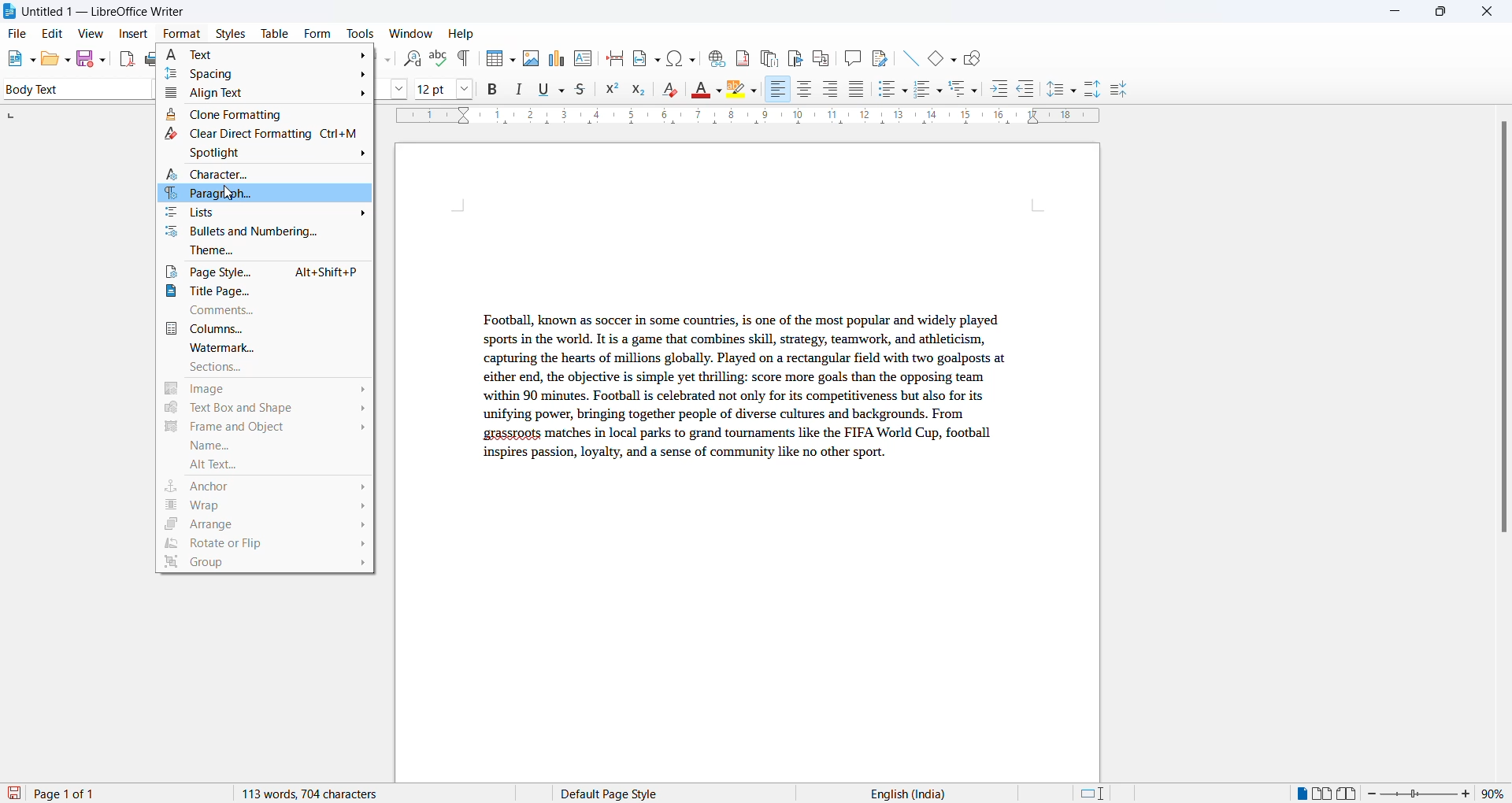 The width and height of the screenshot is (1512, 803). Describe the element at coordinates (317, 33) in the screenshot. I see `form` at that location.